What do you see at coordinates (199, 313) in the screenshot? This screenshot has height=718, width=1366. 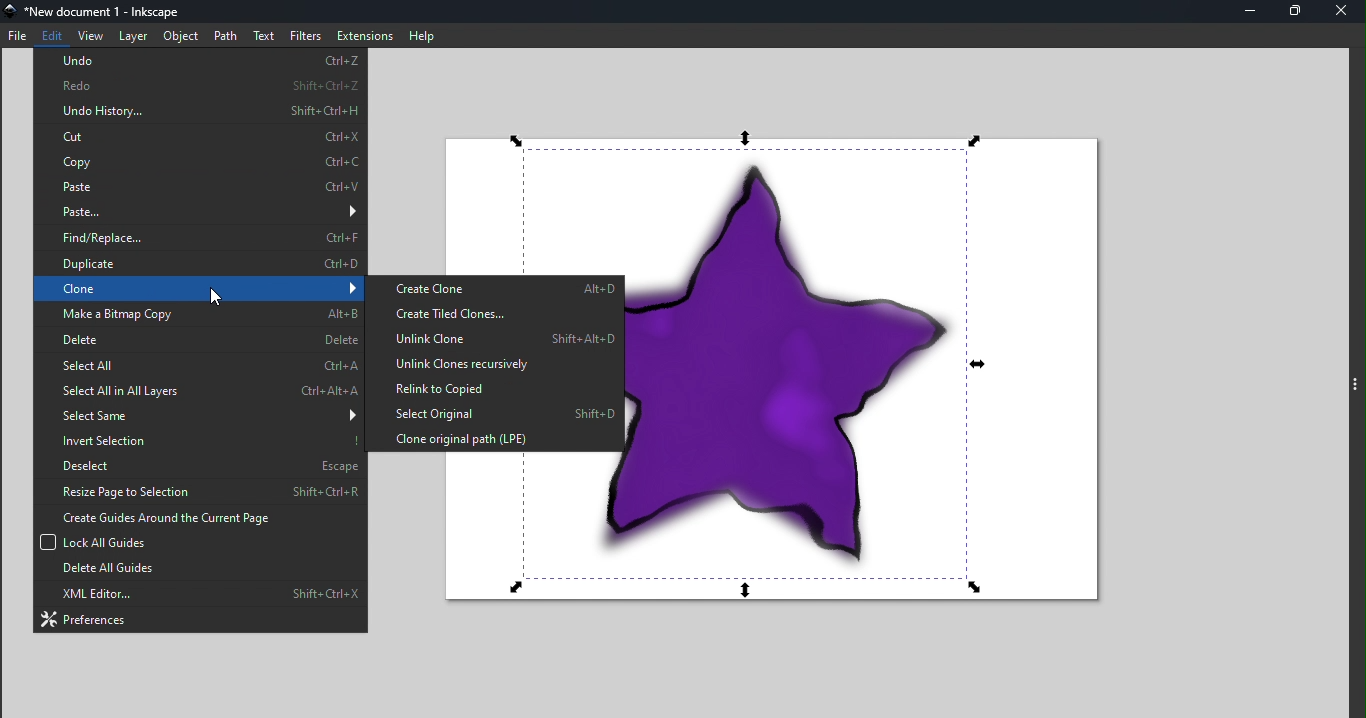 I see `make a bitmap copy` at bounding box center [199, 313].